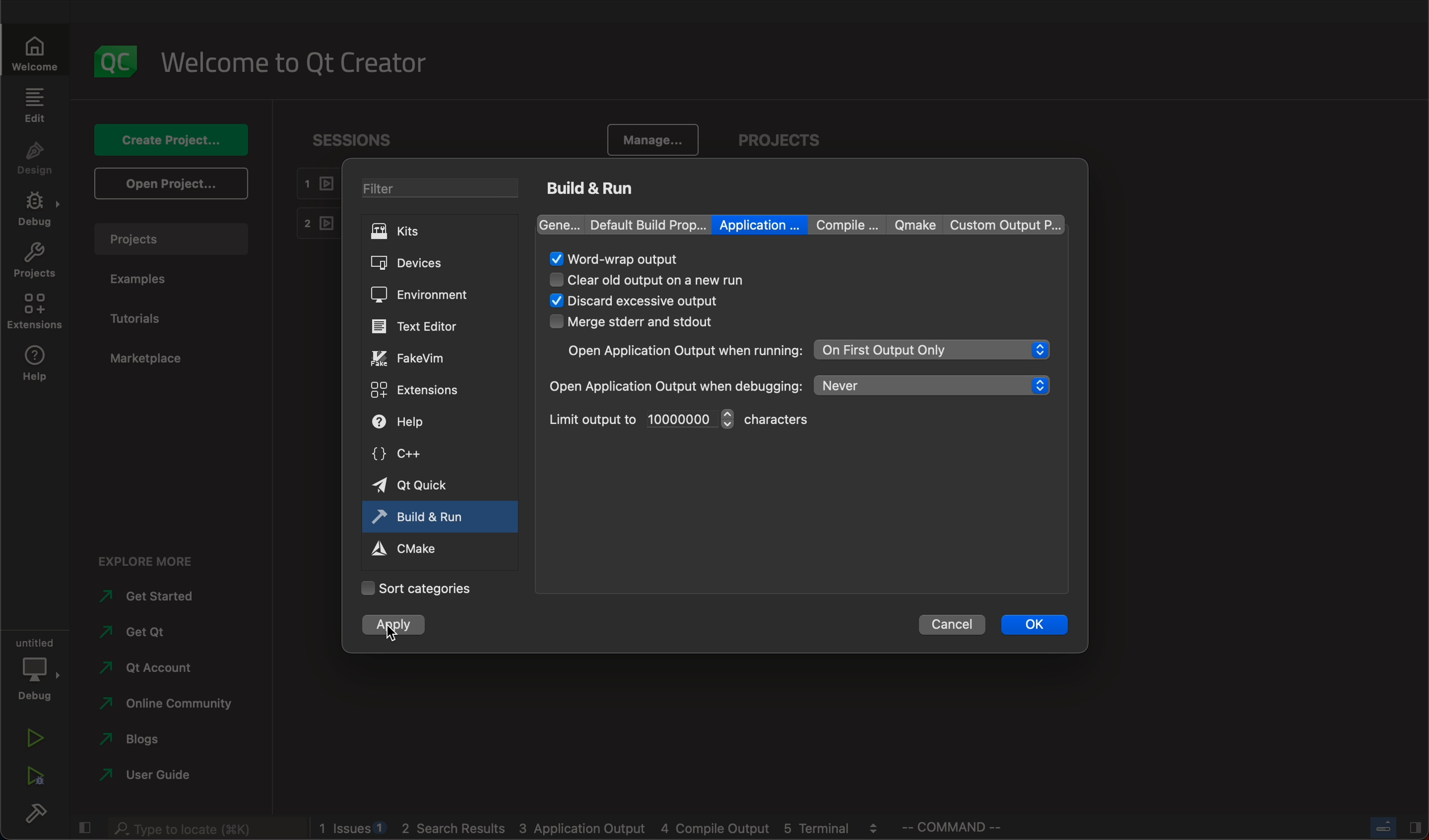  Describe the element at coordinates (32, 738) in the screenshot. I see `run` at that location.